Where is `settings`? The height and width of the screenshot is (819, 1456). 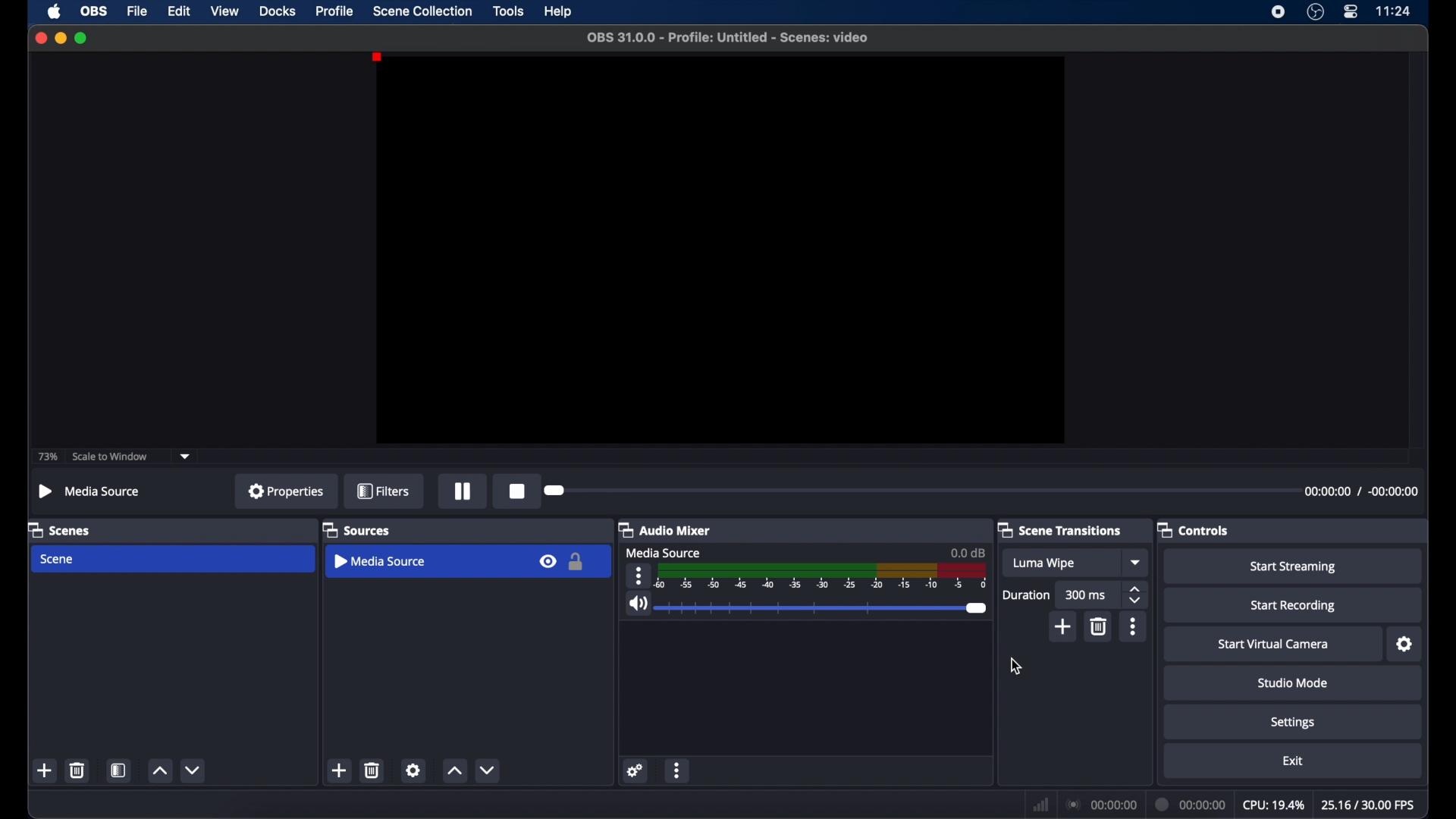 settings is located at coordinates (635, 770).